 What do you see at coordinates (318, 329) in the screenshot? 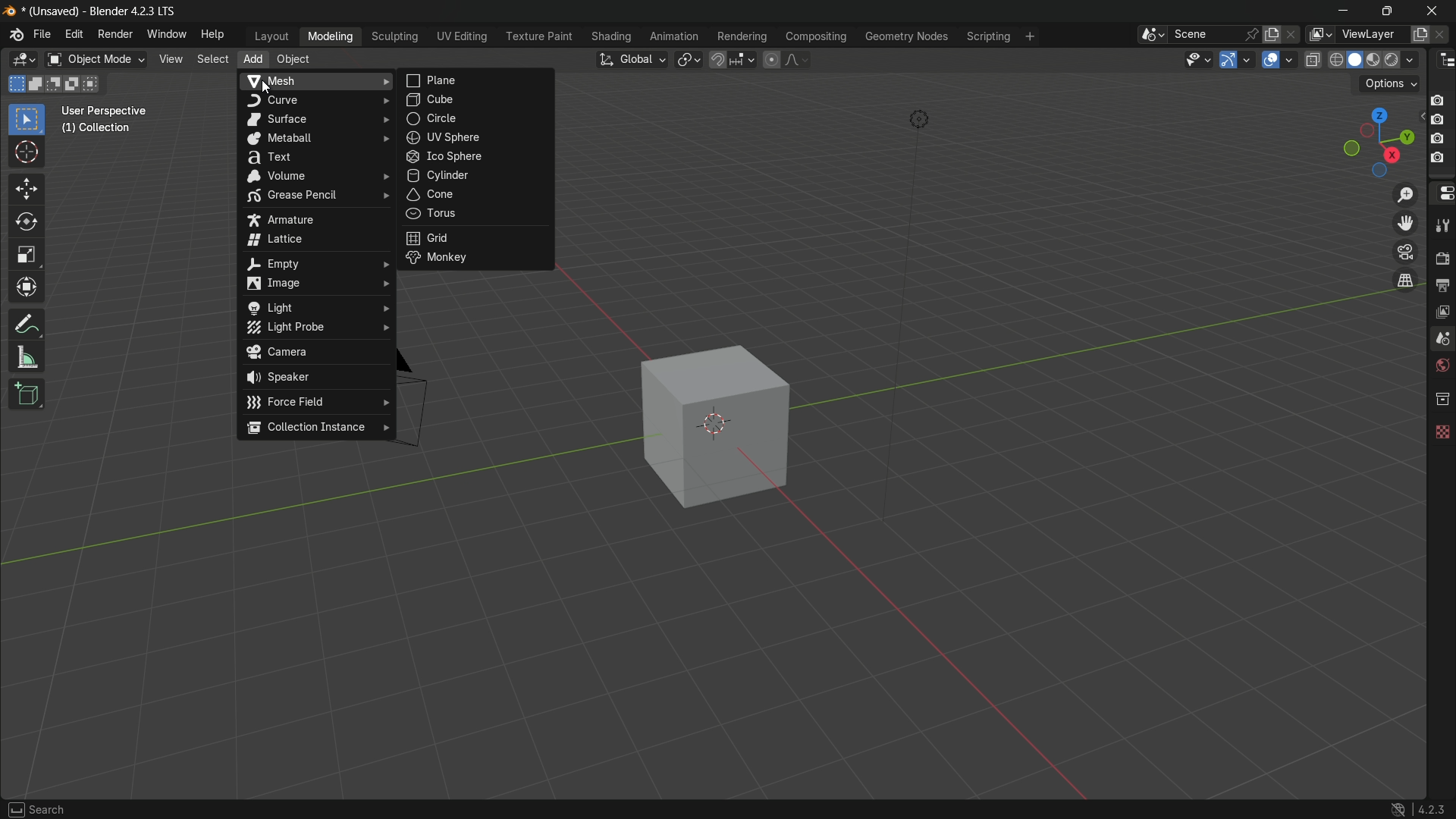
I see `light probe` at bounding box center [318, 329].